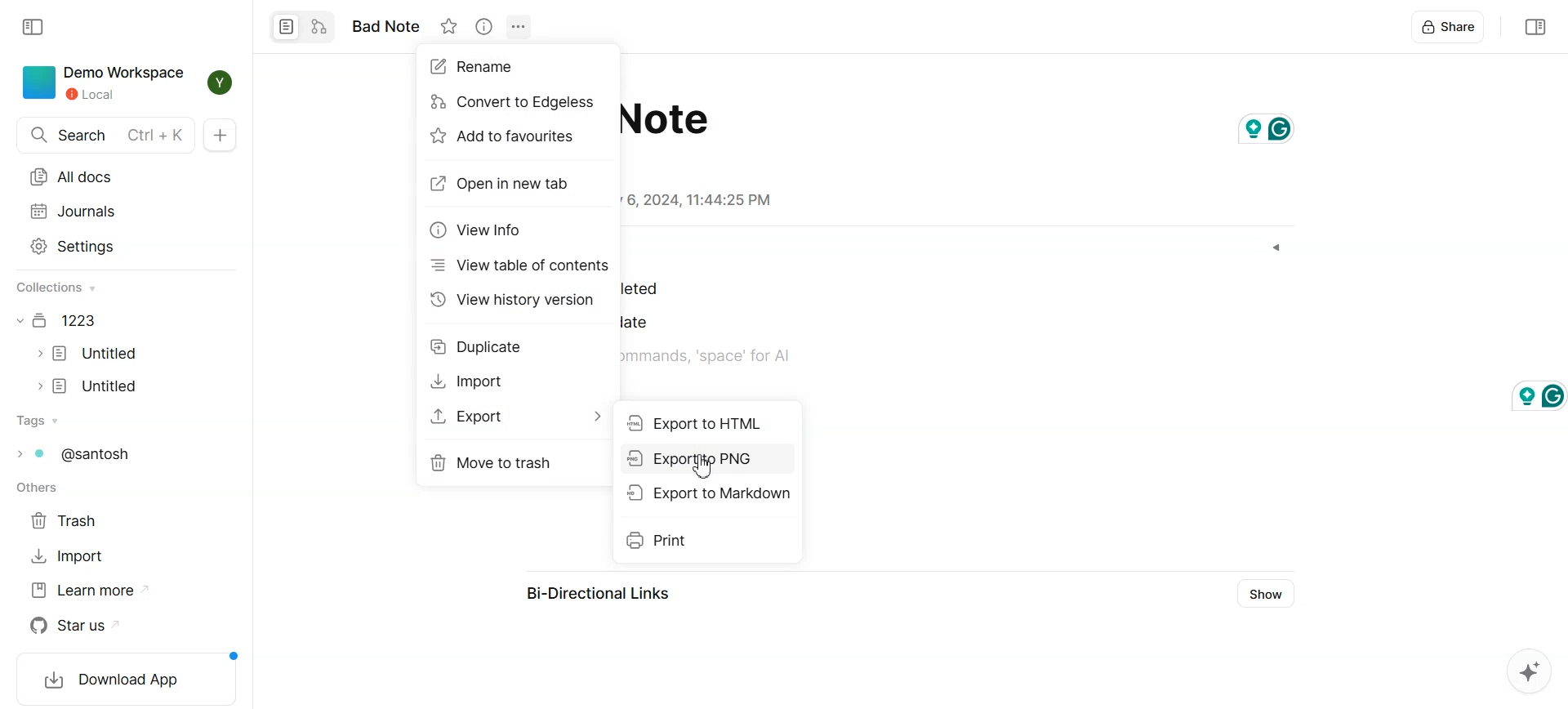  I want to click on grammarly, so click(1267, 125).